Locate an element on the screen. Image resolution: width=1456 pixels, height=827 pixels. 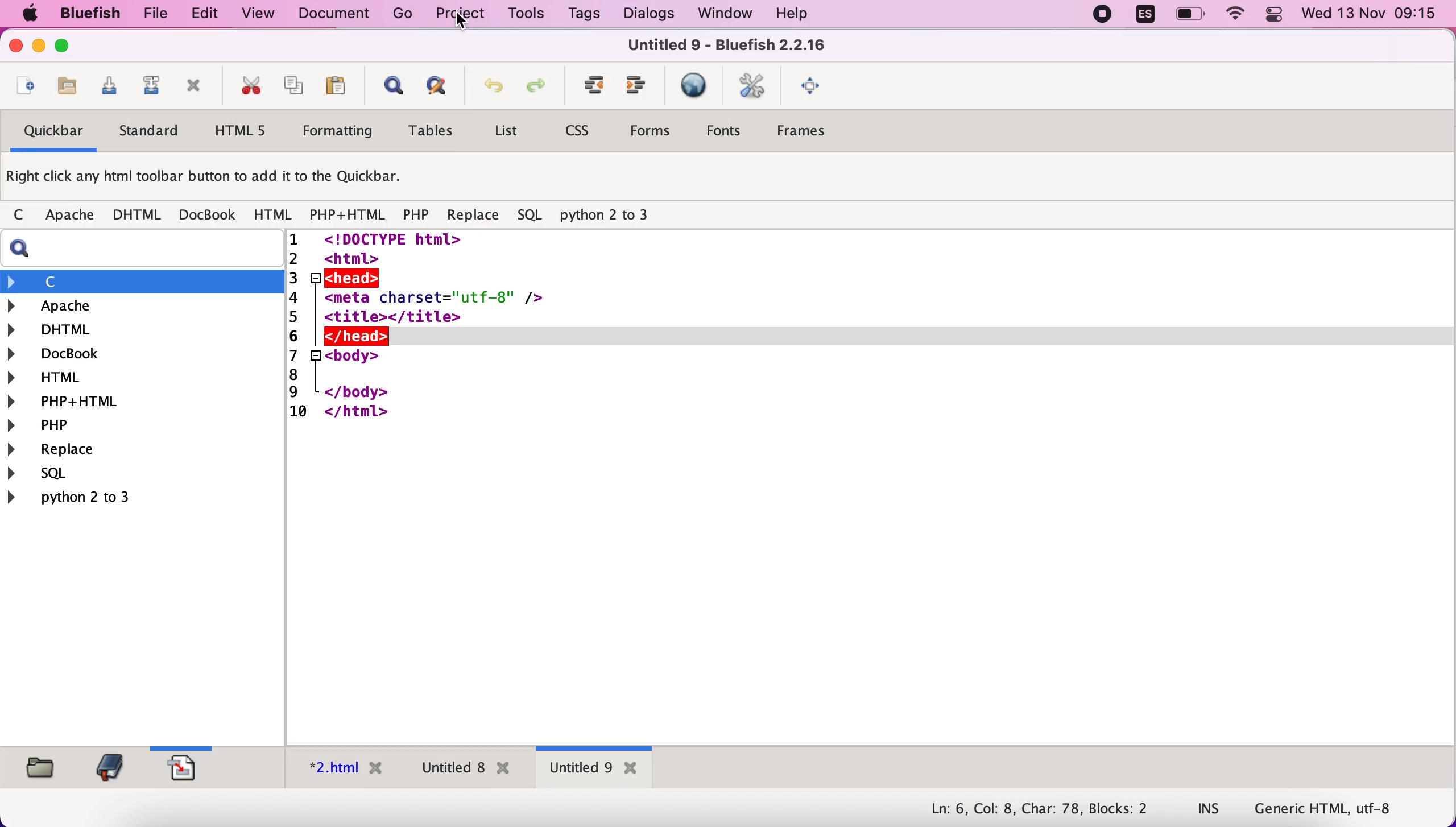
snippets is located at coordinates (188, 766).